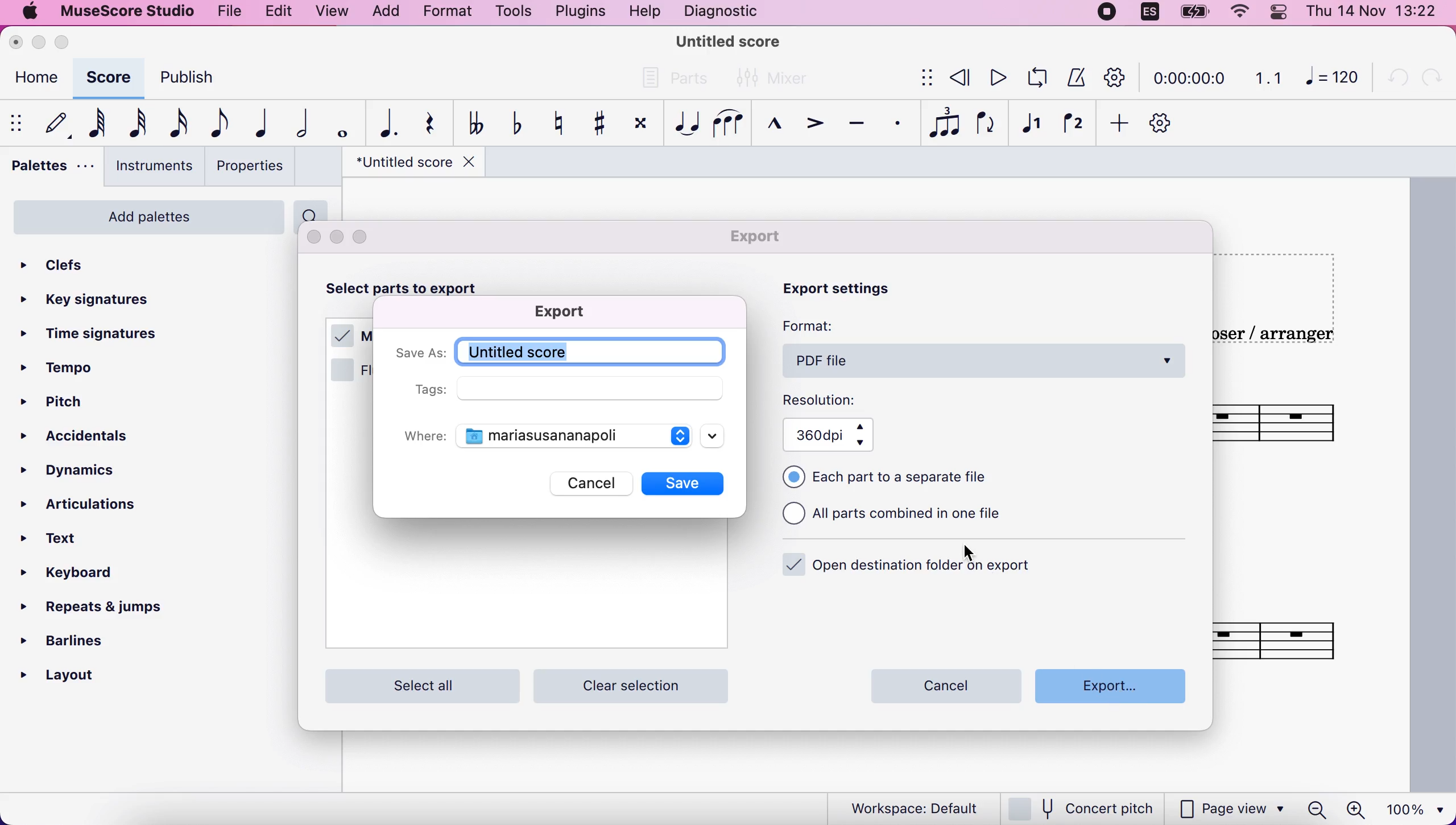  I want to click on review, so click(958, 79).